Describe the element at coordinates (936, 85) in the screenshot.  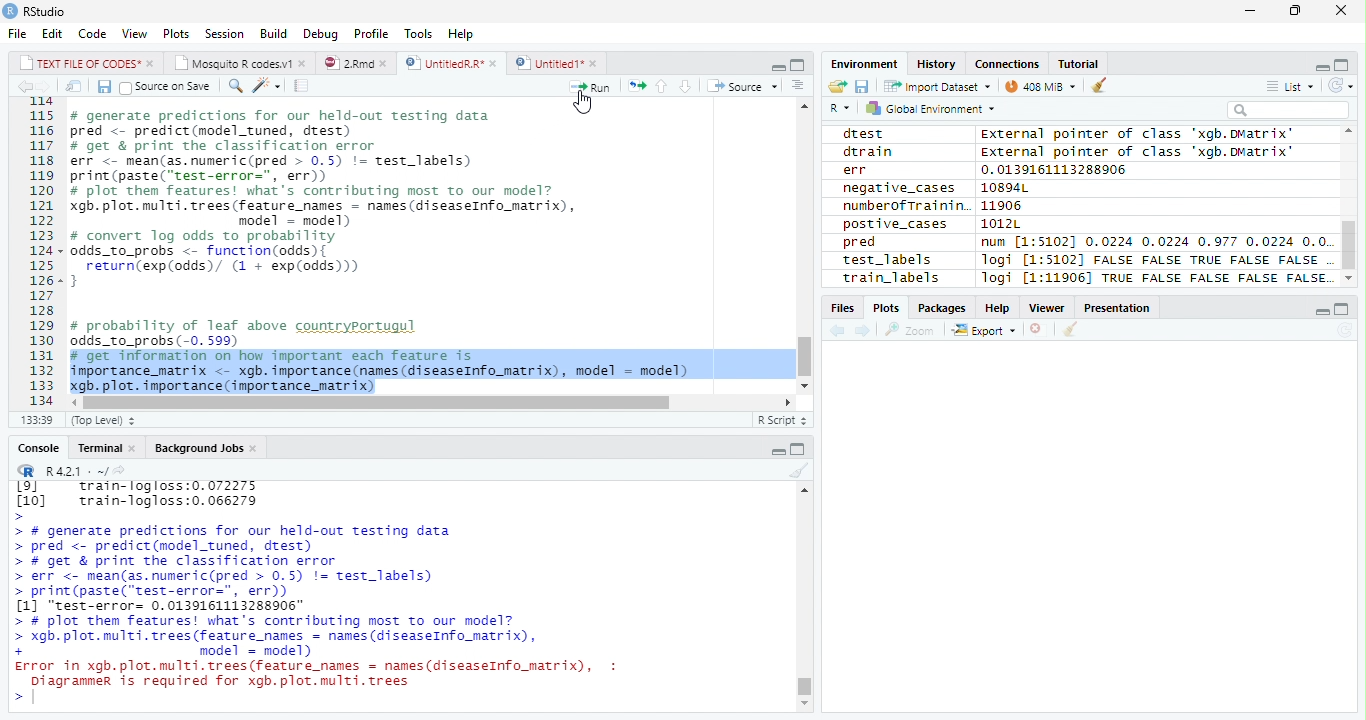
I see `Import dataset` at that location.